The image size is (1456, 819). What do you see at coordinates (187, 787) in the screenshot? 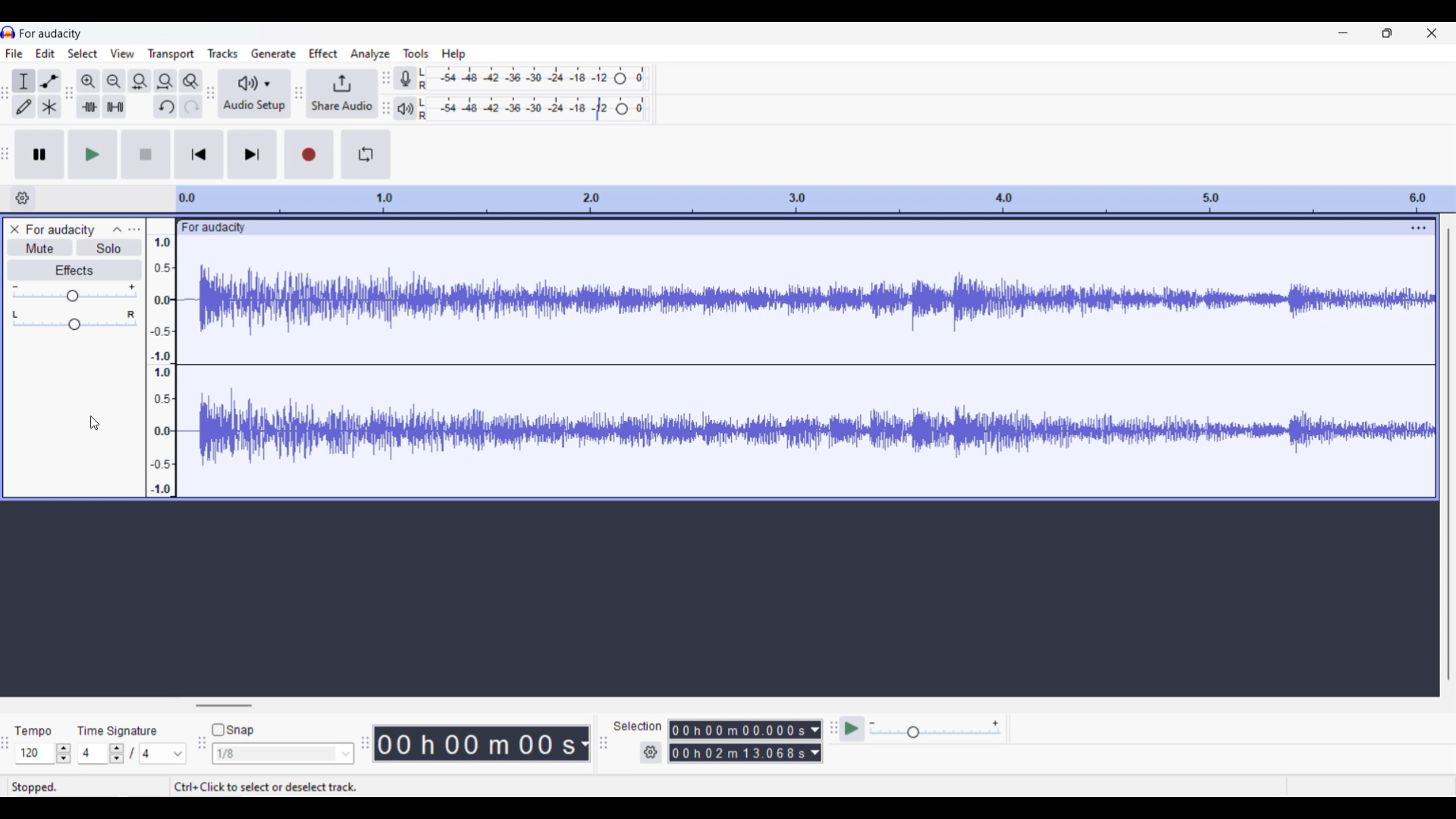
I see `Stopped. Ctrl+Click to select or deselect track.` at bounding box center [187, 787].